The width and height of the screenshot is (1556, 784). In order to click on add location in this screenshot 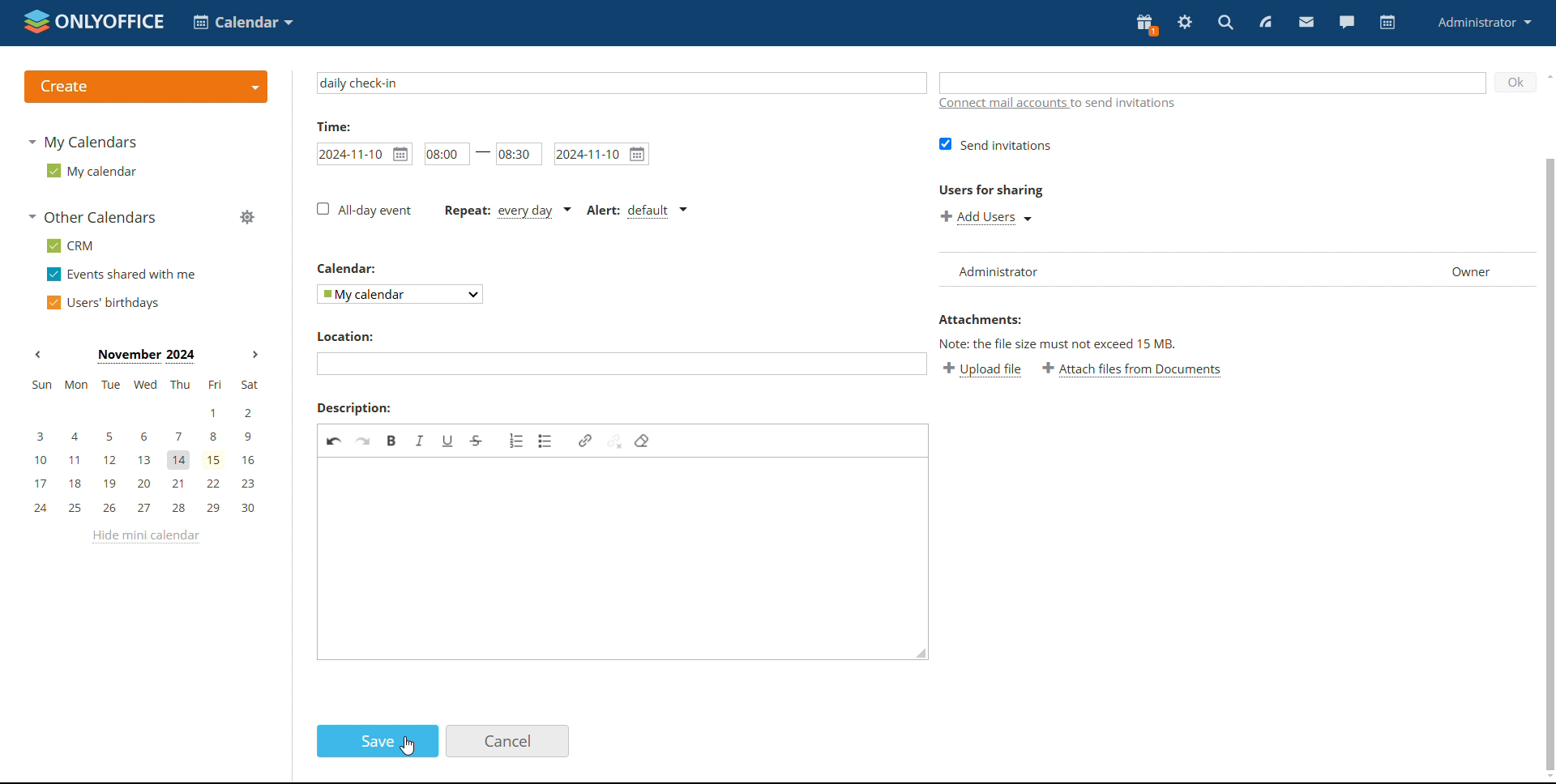, I will do `click(622, 366)`.